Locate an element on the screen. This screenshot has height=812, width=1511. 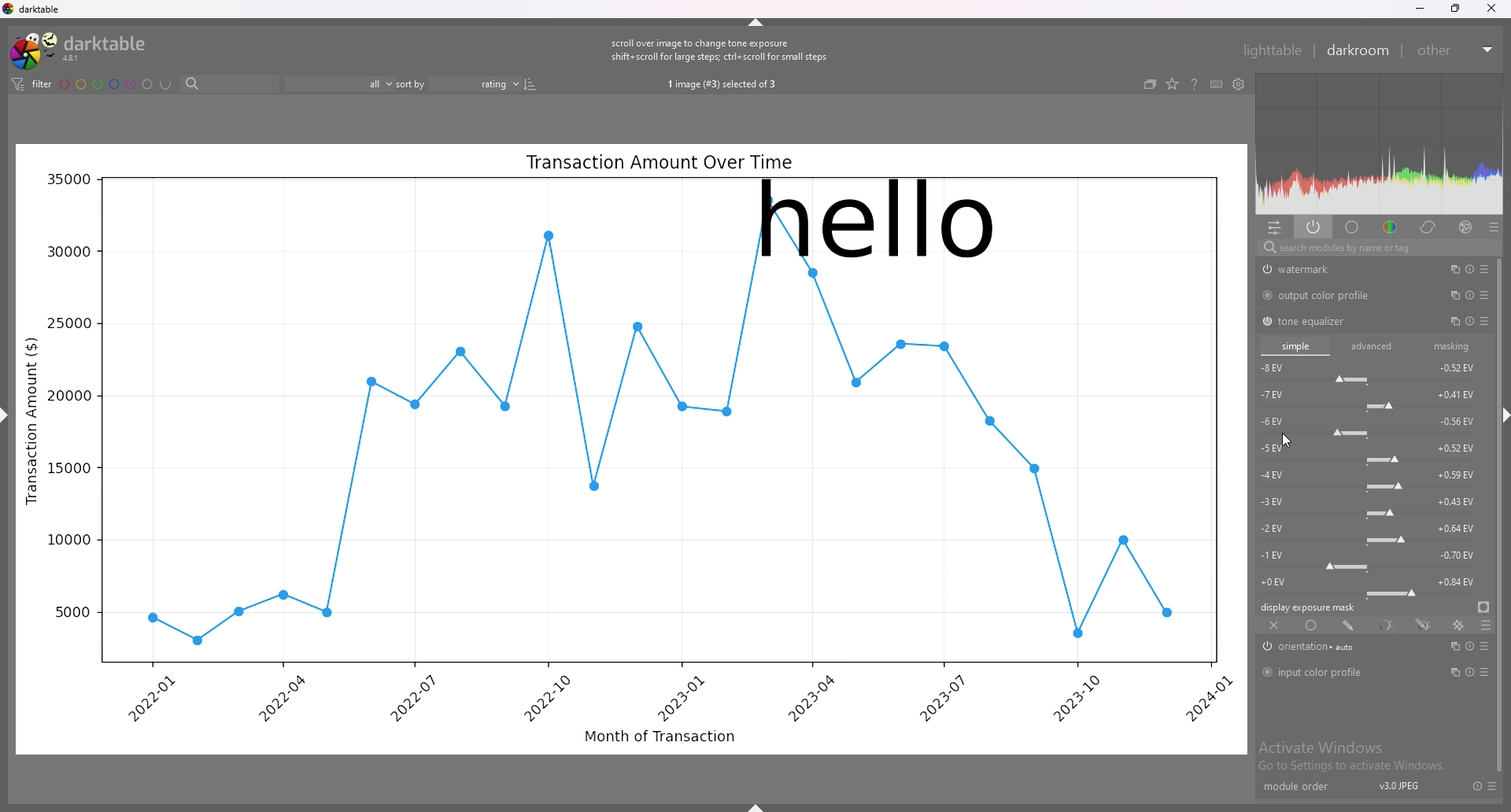
drawn and parametric mask is located at coordinates (1422, 624).